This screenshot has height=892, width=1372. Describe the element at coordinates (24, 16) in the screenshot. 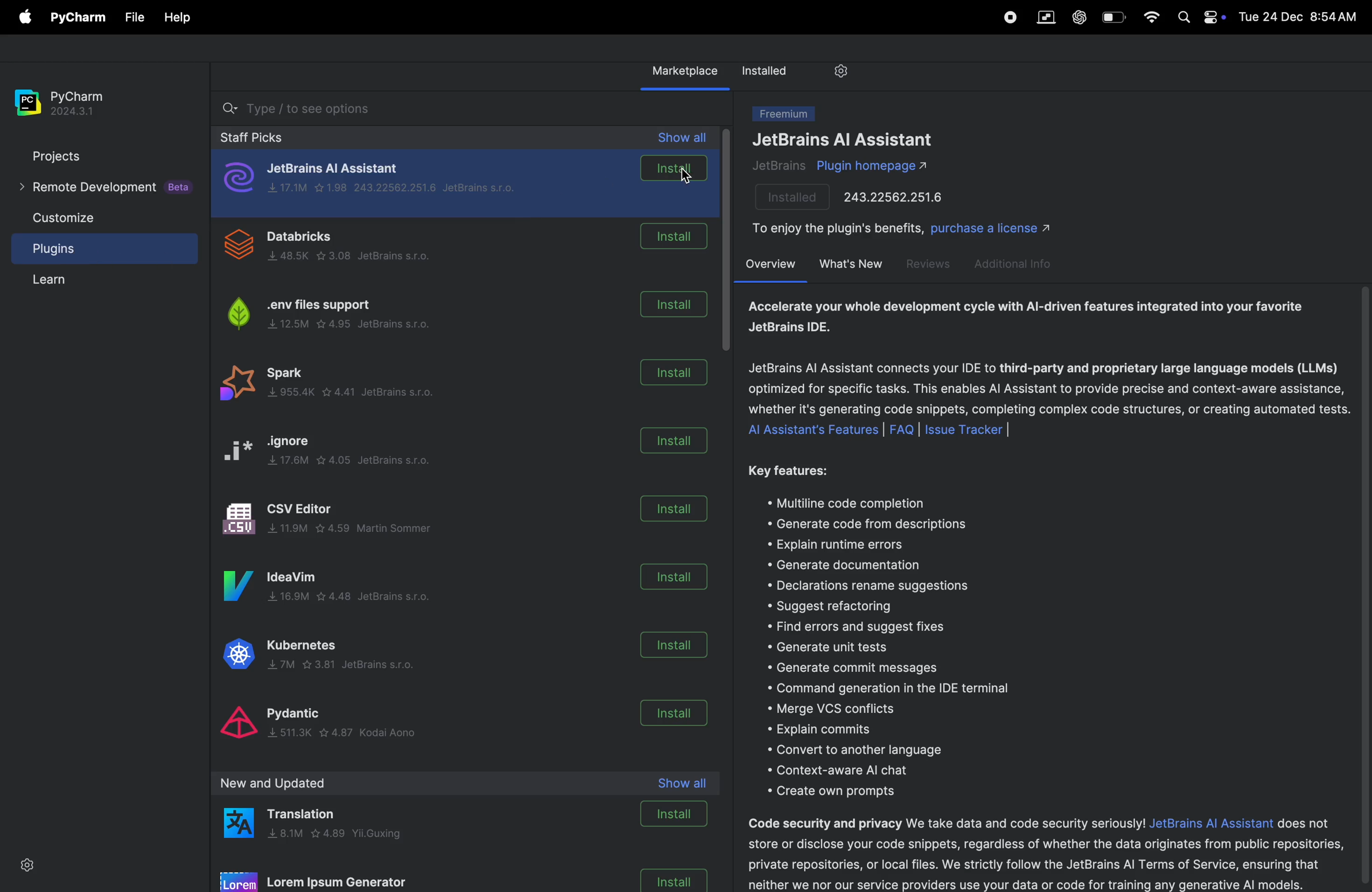

I see `apple menu` at that location.